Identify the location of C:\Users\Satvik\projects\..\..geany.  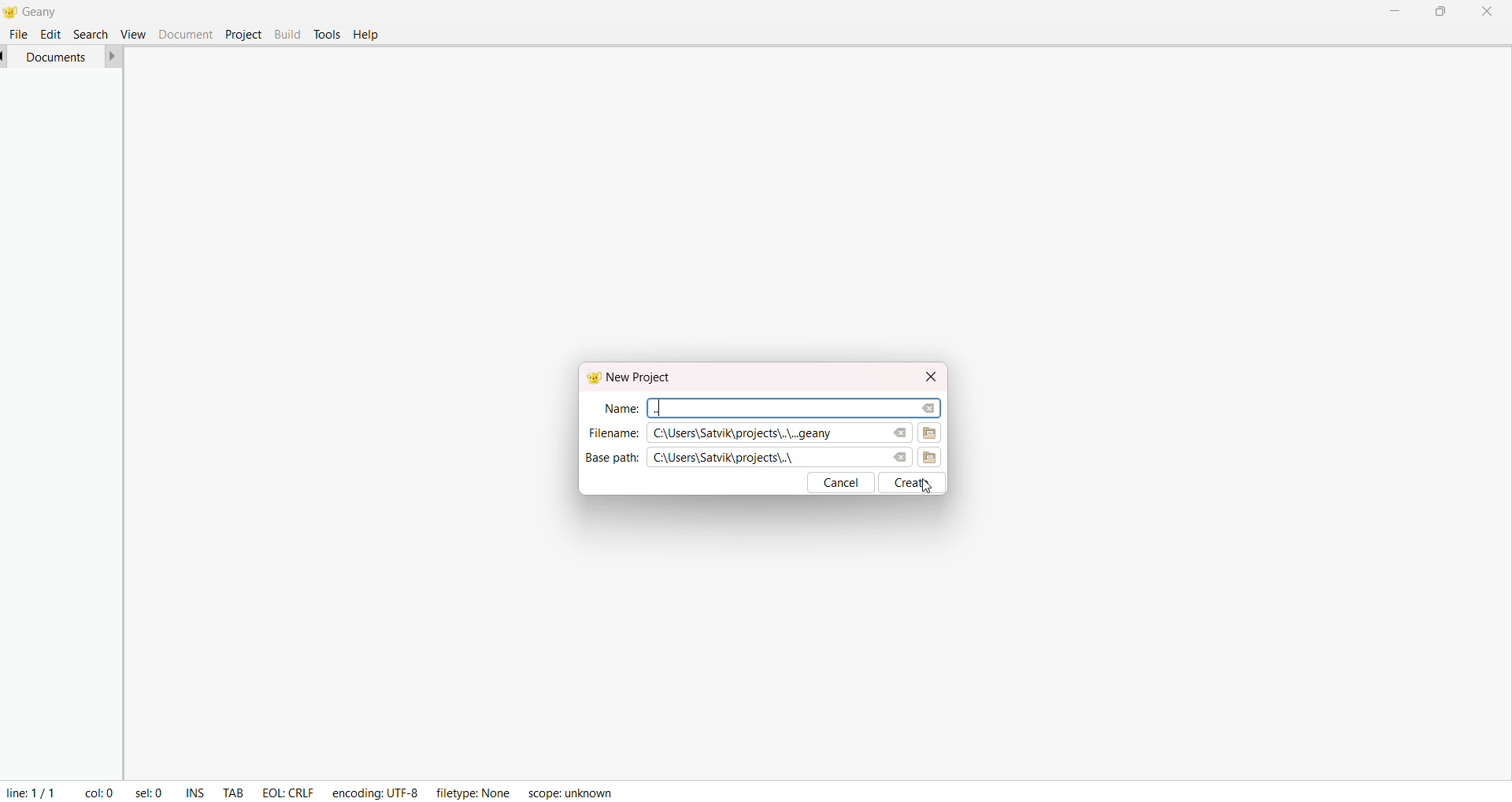
(751, 434).